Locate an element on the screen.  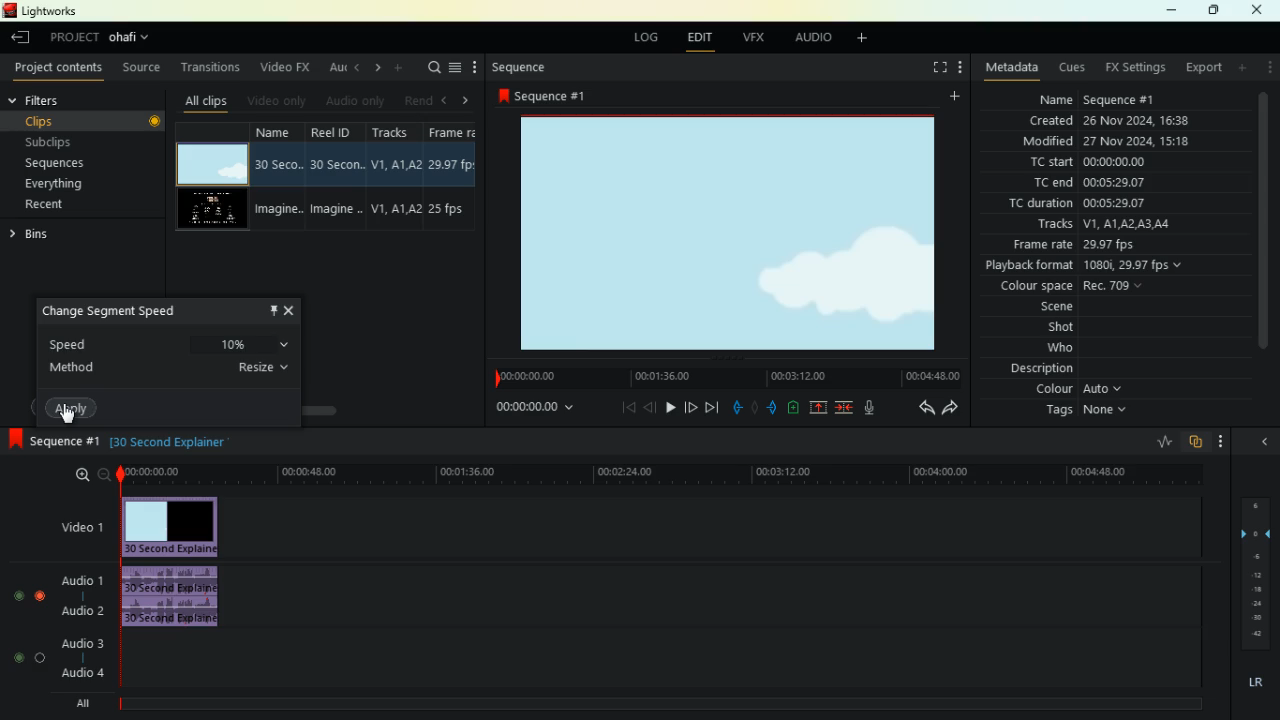
subclips is located at coordinates (60, 143).